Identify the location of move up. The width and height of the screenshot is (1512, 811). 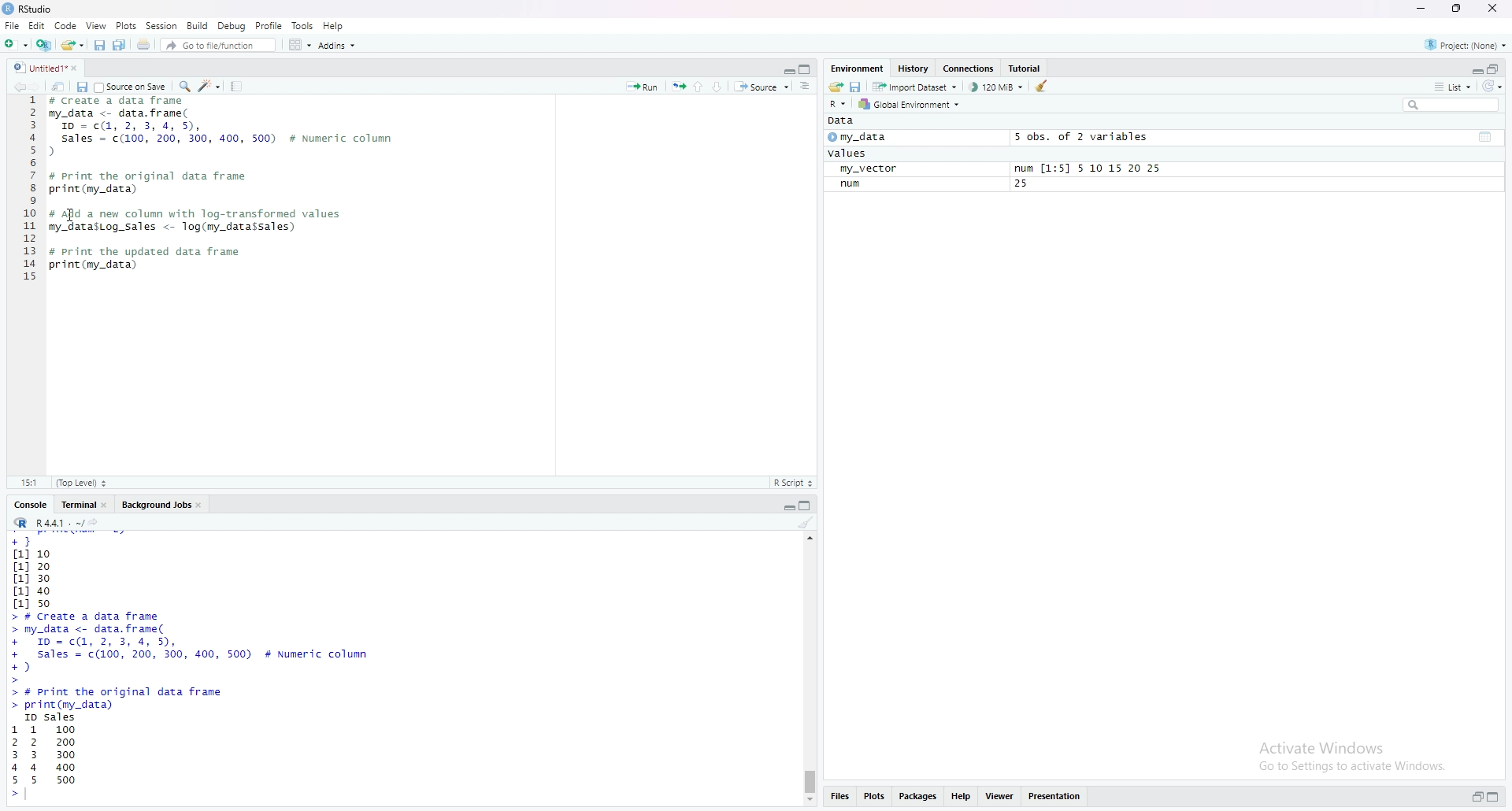
(810, 543).